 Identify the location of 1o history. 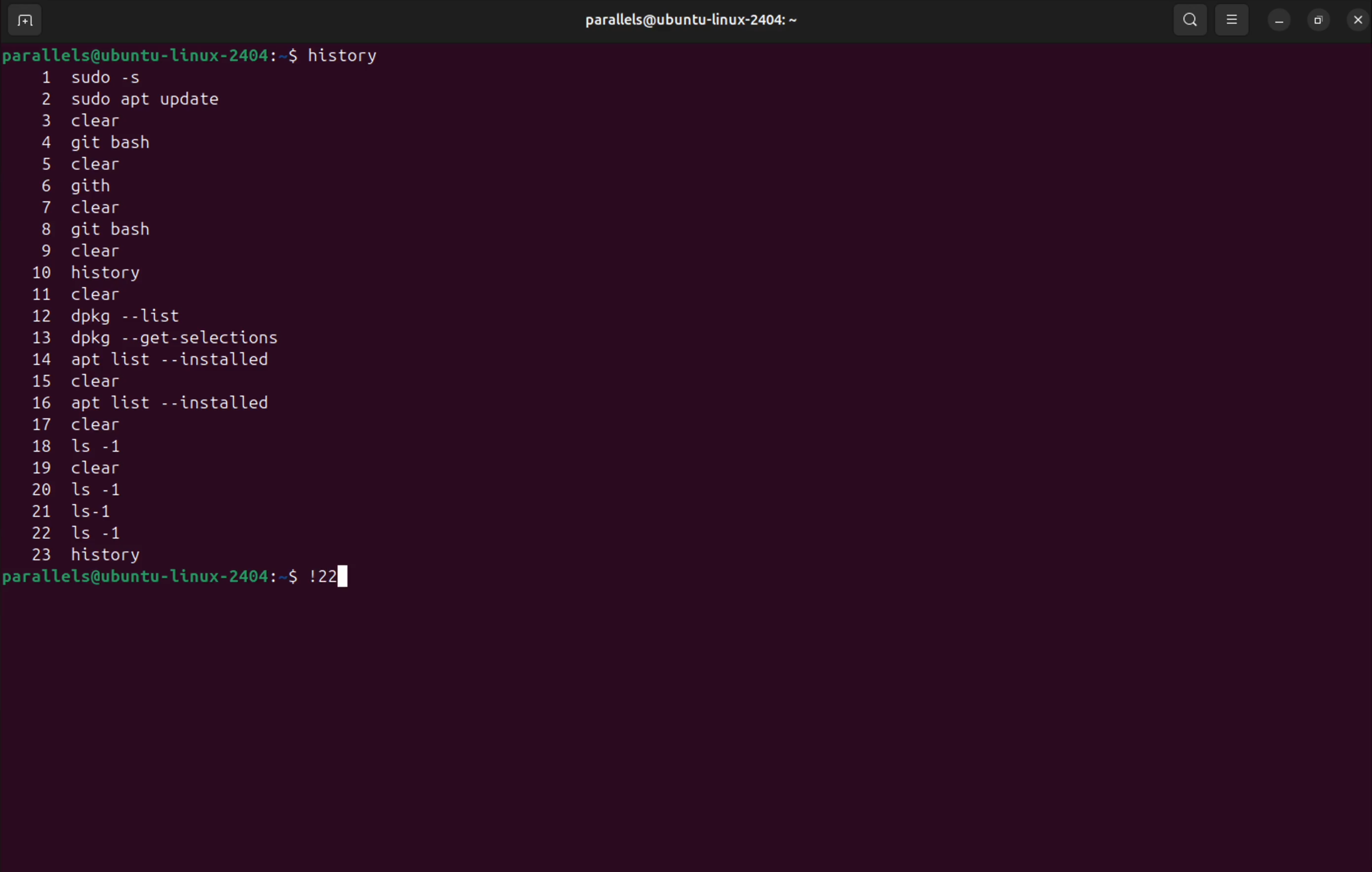
(108, 275).